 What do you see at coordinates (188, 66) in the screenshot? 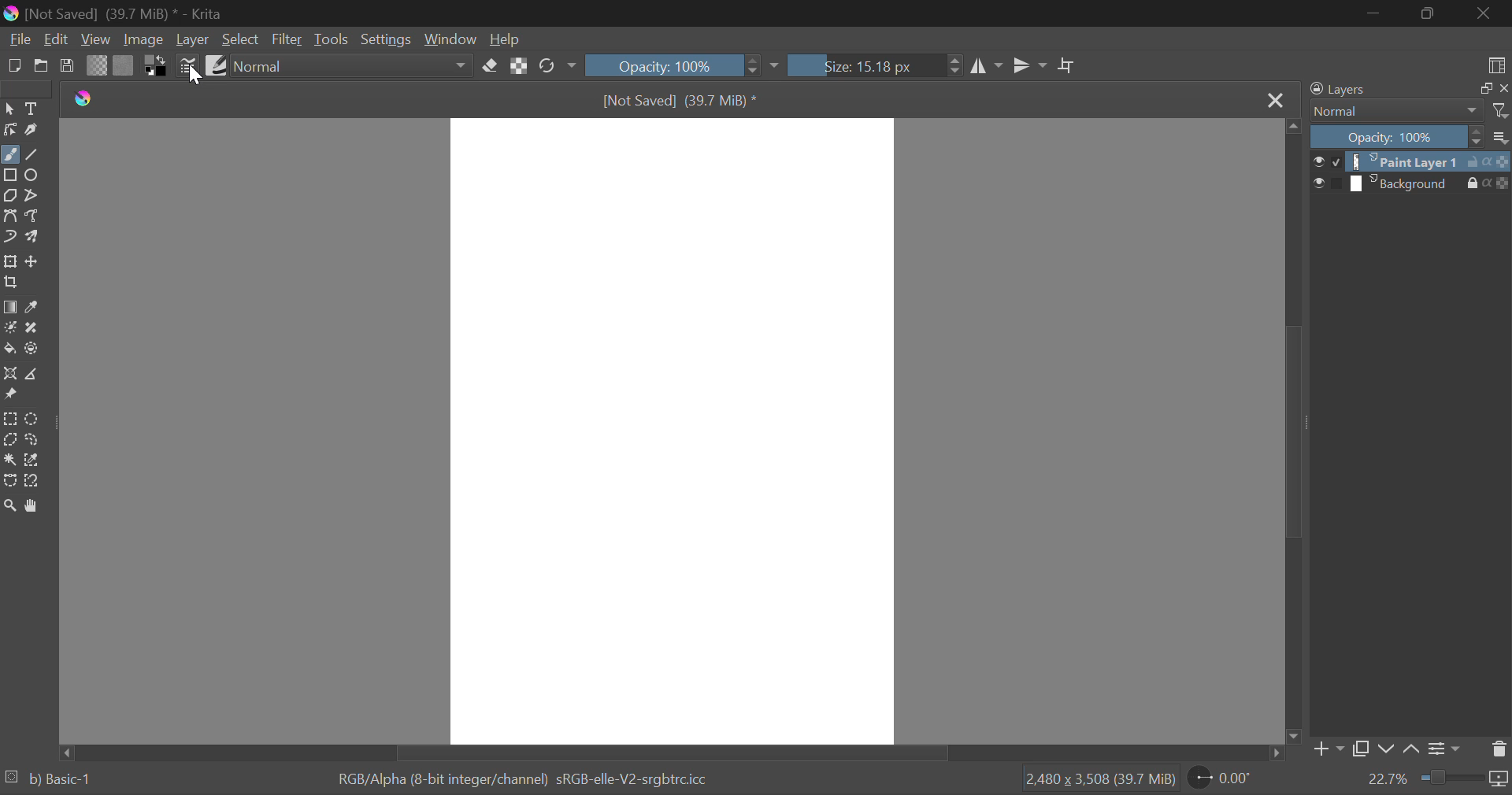
I see `Brush Settings` at bounding box center [188, 66].